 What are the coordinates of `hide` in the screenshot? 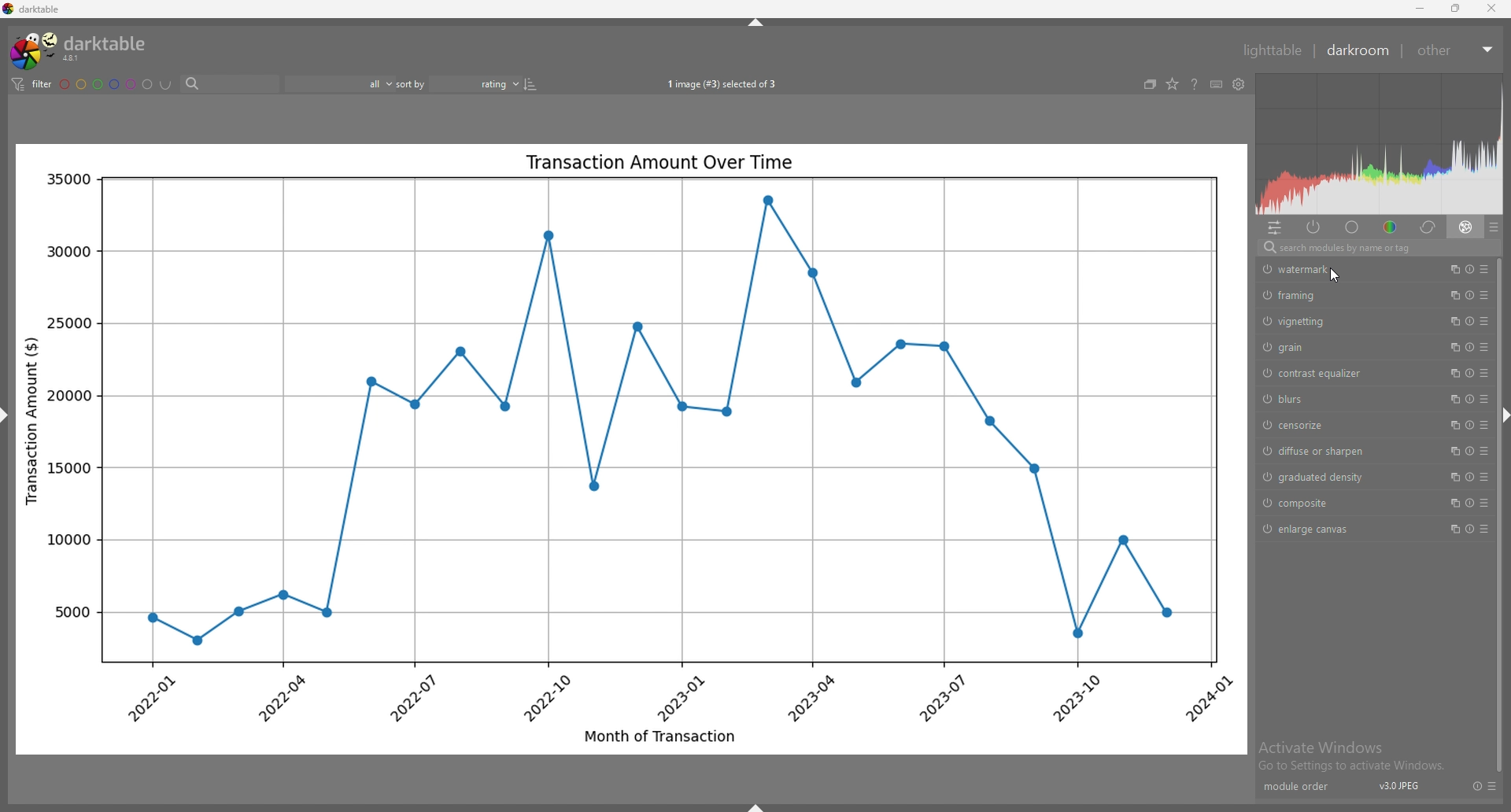 It's located at (757, 22).